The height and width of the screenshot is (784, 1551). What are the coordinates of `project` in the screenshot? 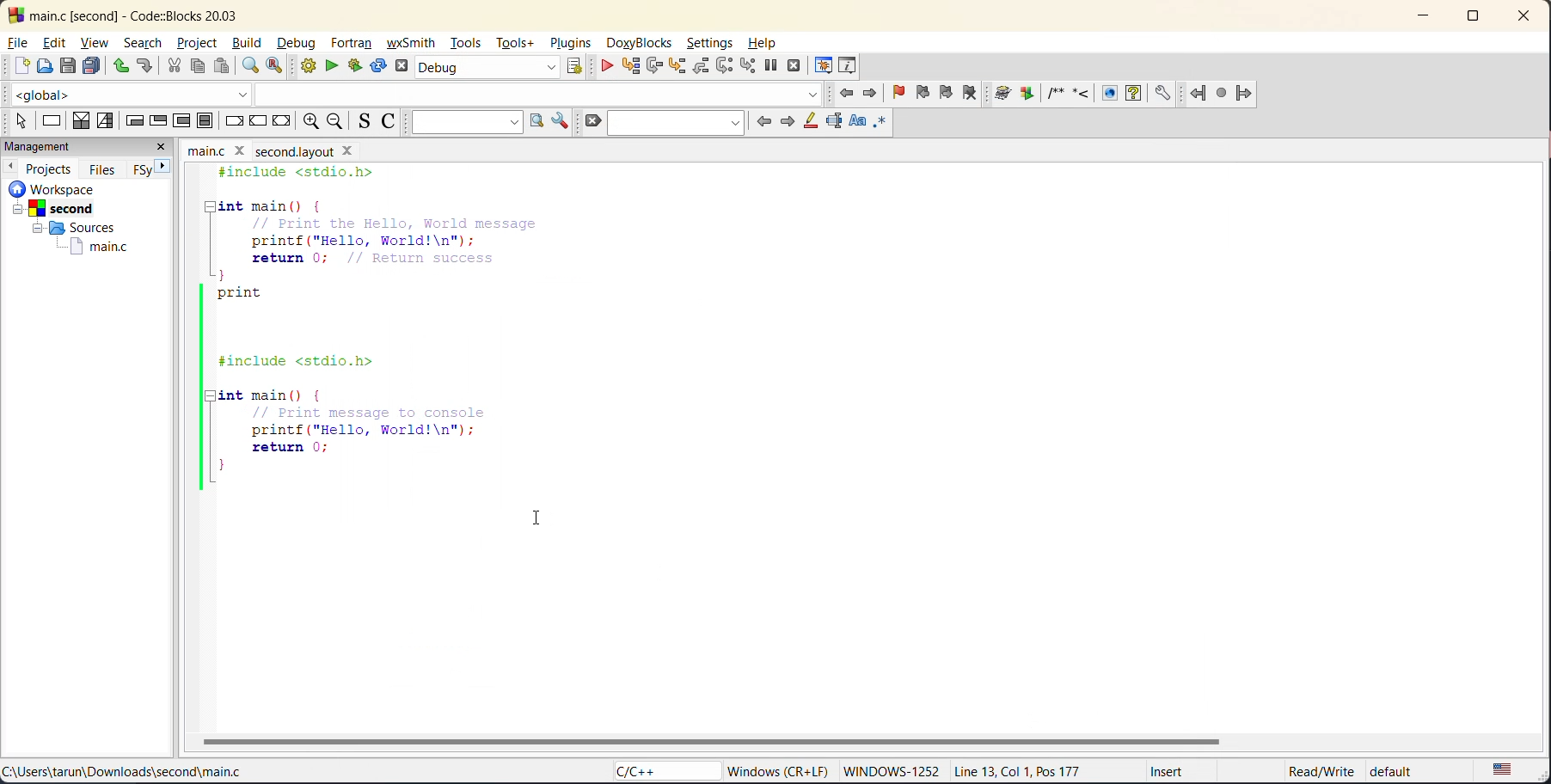 It's located at (197, 41).